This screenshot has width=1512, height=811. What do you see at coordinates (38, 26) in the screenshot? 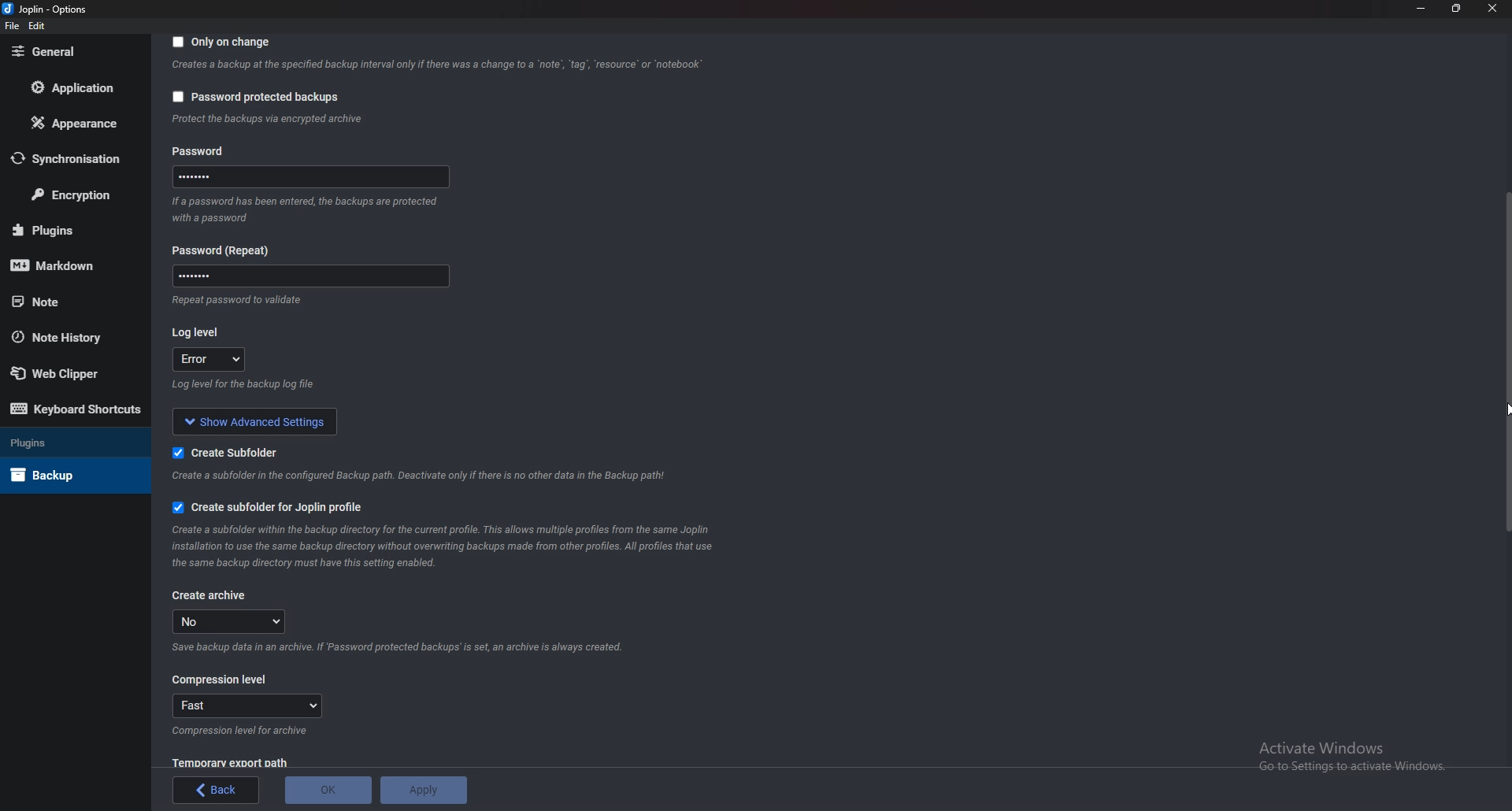
I see `Edit` at bounding box center [38, 26].